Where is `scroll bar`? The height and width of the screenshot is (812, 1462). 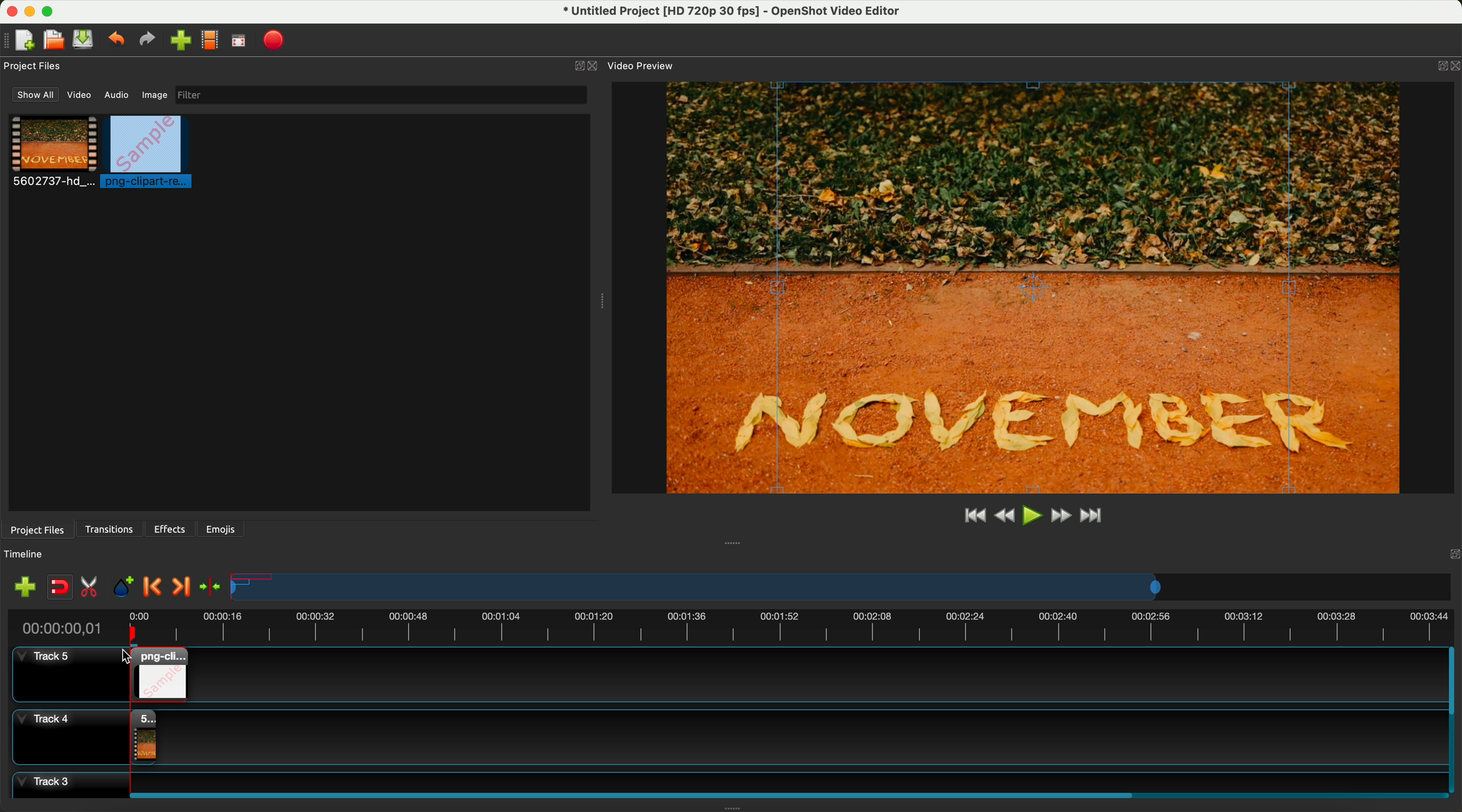
scroll bar is located at coordinates (783, 793).